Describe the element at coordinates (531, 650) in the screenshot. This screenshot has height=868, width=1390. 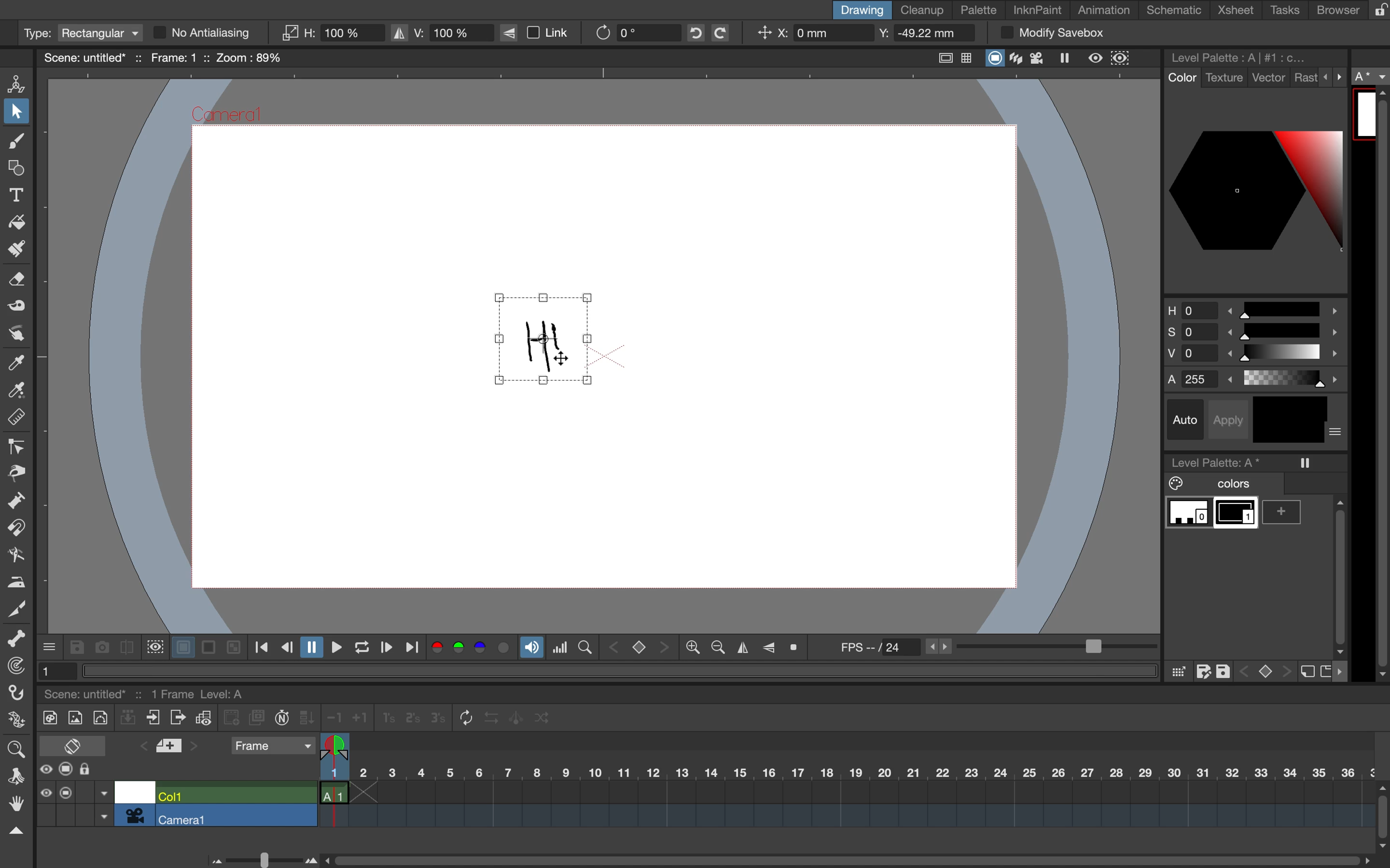
I see `soundtrack` at that location.